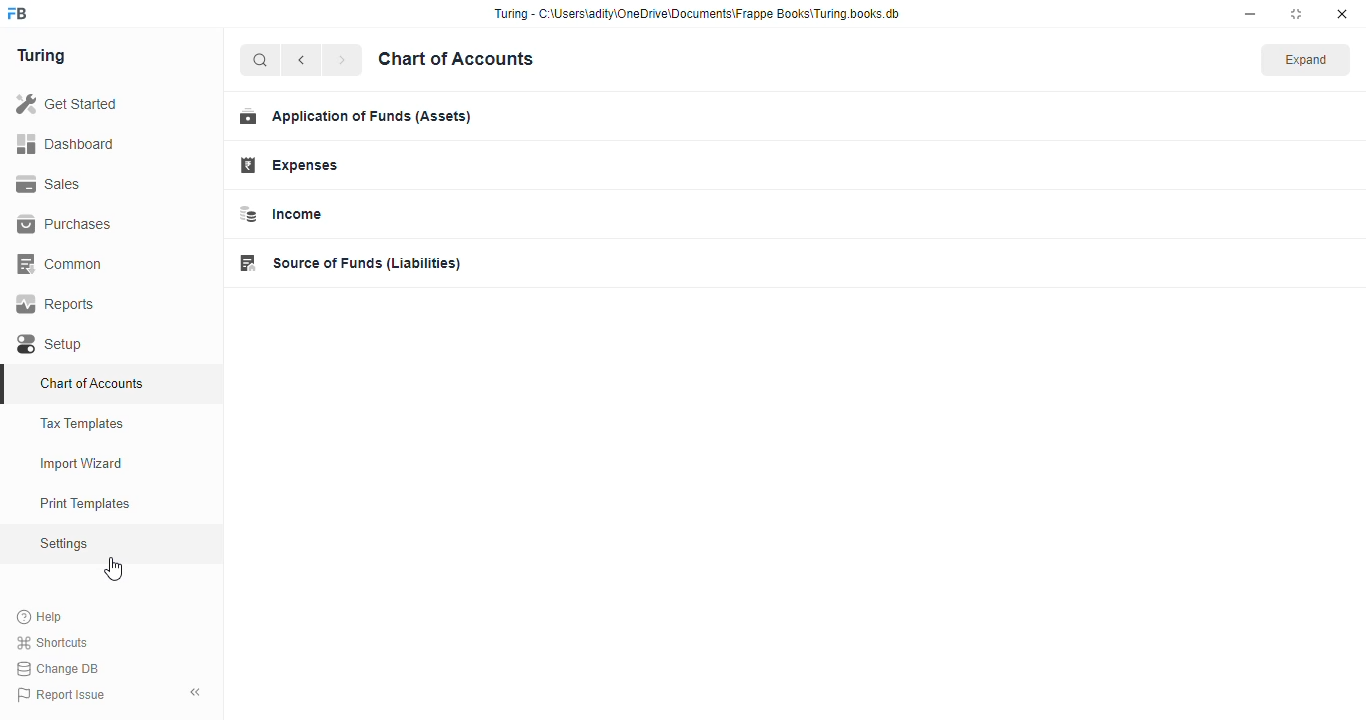 The width and height of the screenshot is (1366, 720). Describe the element at coordinates (104, 144) in the screenshot. I see `Dashboard` at that location.